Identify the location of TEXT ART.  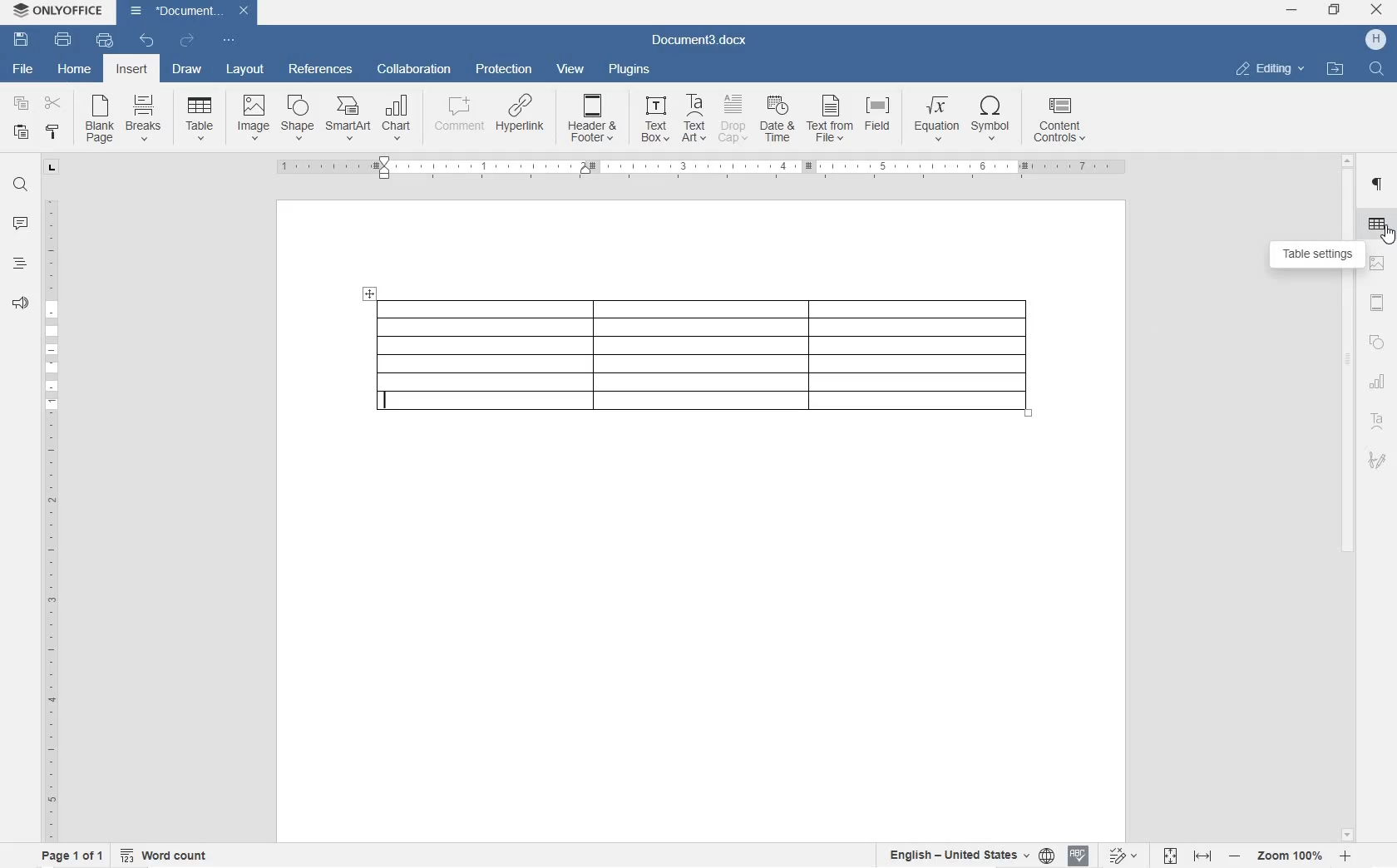
(1378, 422).